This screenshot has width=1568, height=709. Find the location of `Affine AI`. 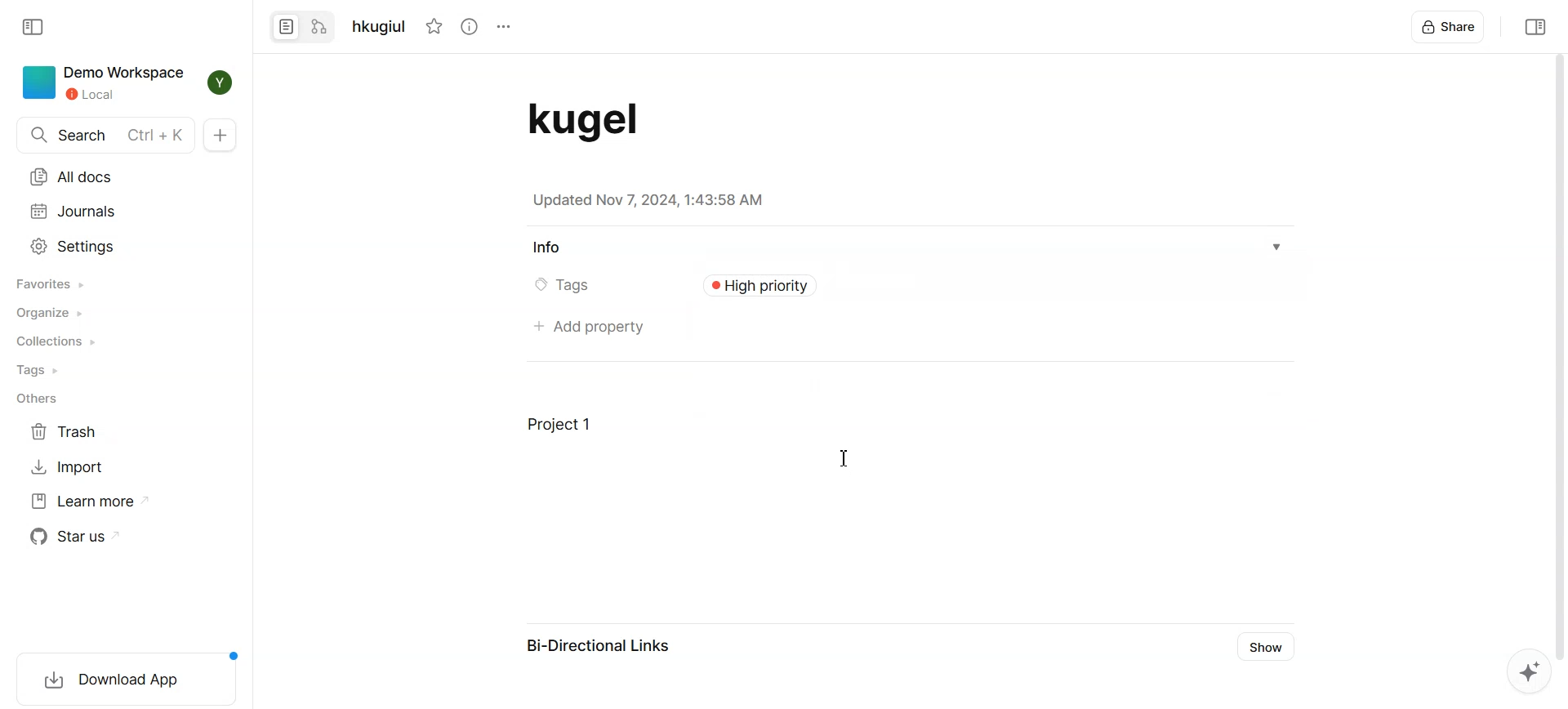

Affine AI is located at coordinates (1527, 671).